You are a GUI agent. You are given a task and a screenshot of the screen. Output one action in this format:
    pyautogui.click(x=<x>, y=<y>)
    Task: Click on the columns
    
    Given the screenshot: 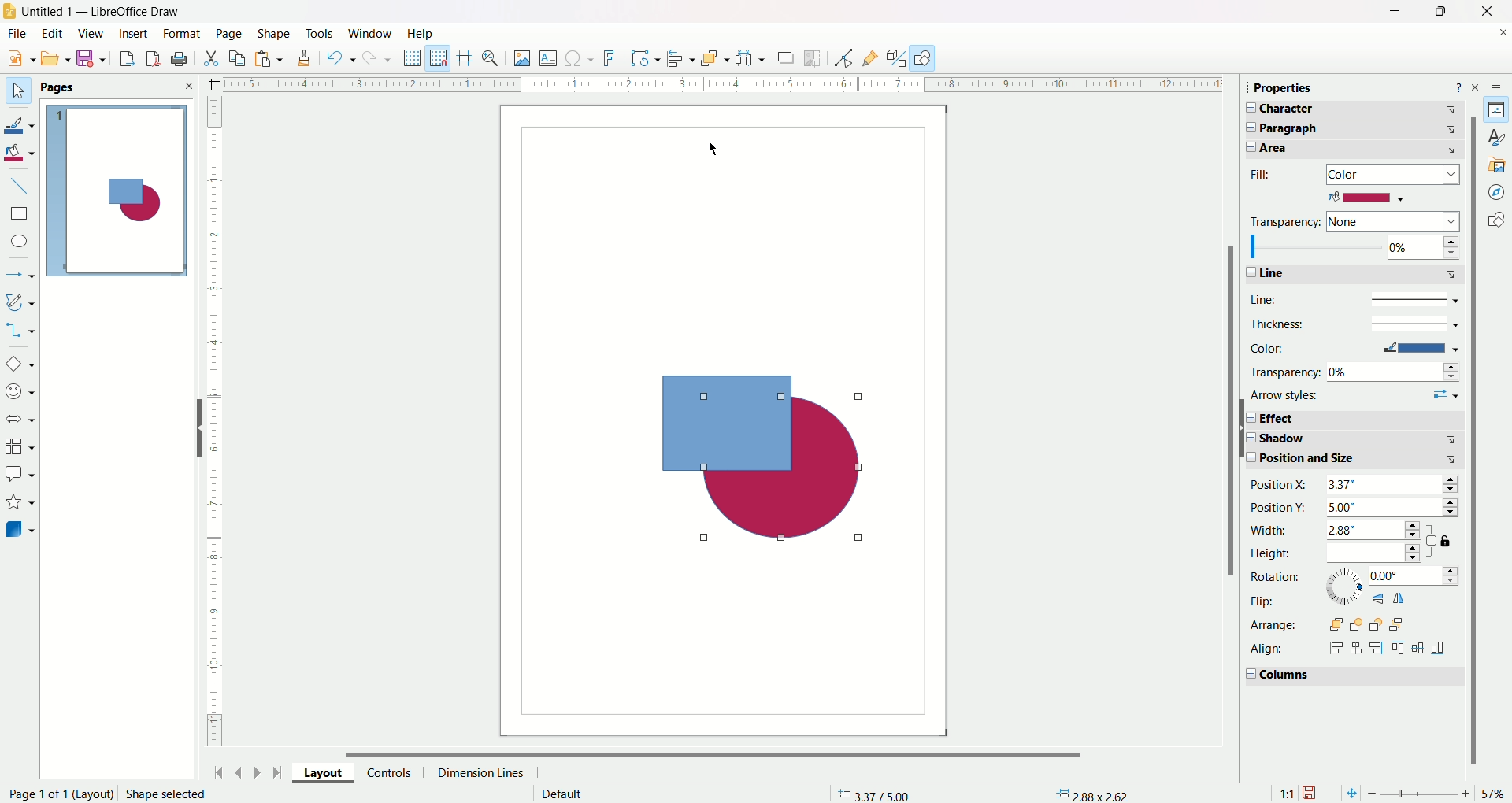 What is the action you would take?
    pyautogui.click(x=1350, y=677)
    